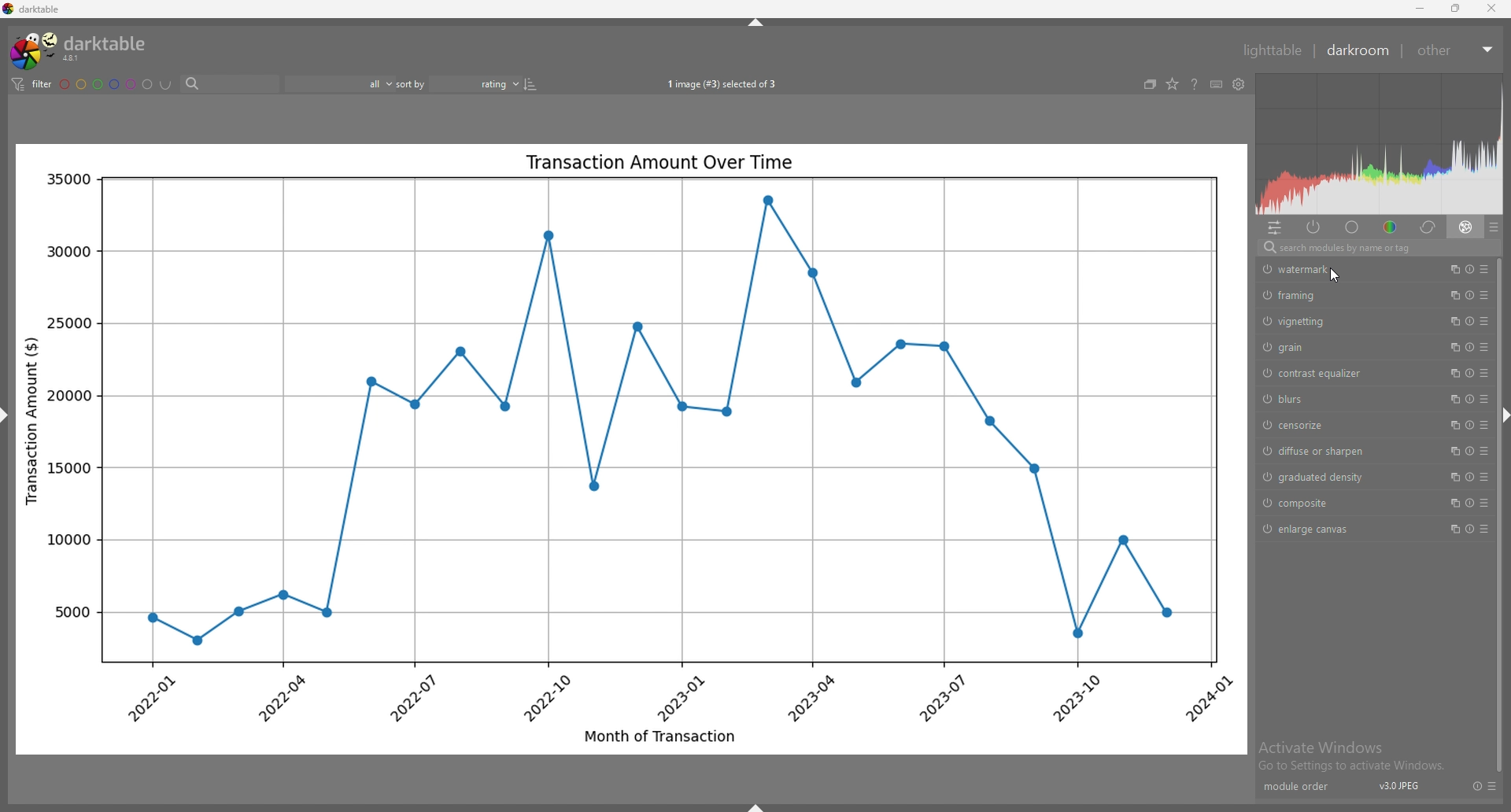 The height and width of the screenshot is (812, 1511). I want to click on reverse sort order, so click(530, 83).